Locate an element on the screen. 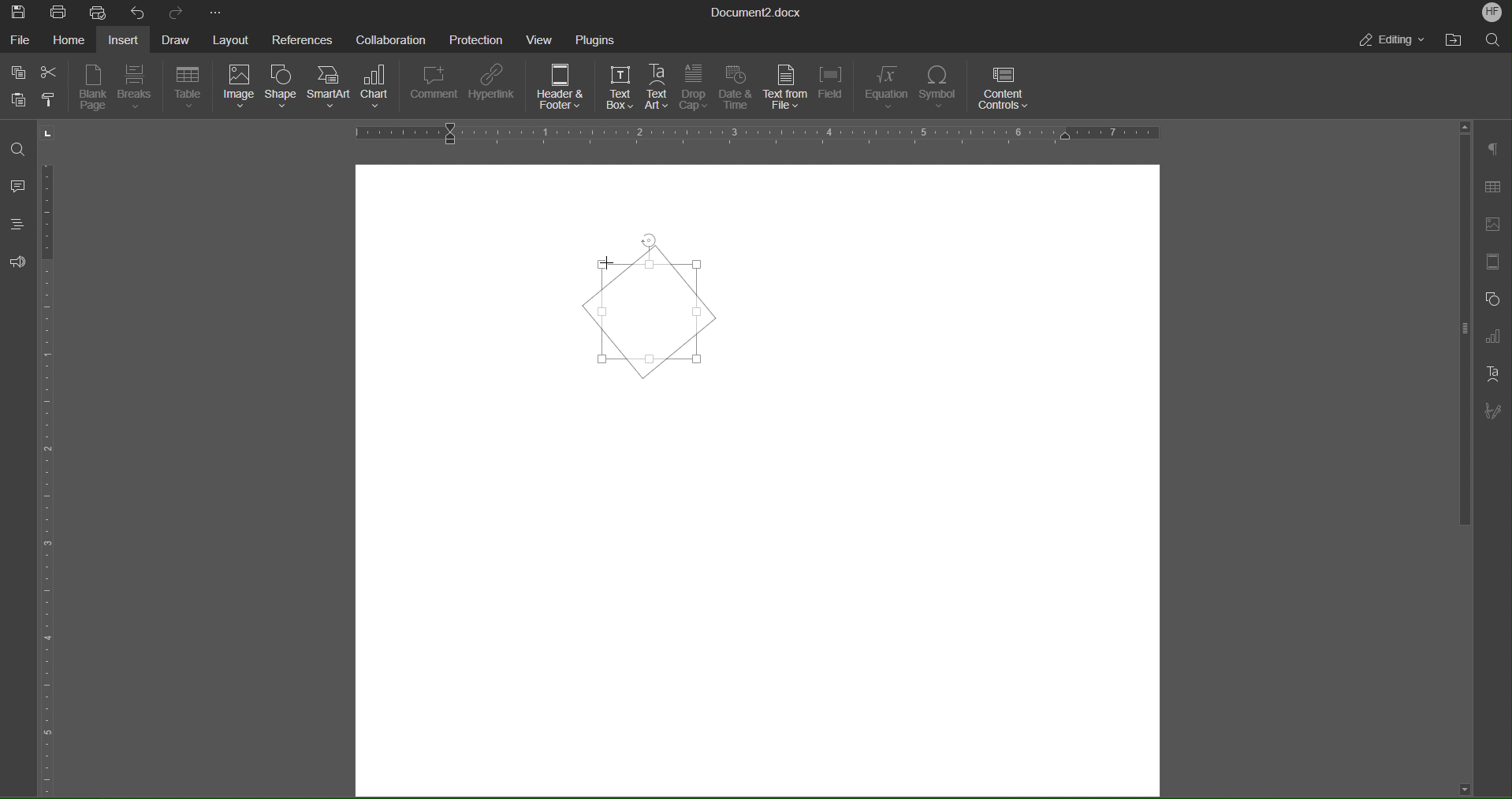  Signature is located at coordinates (1492, 412).